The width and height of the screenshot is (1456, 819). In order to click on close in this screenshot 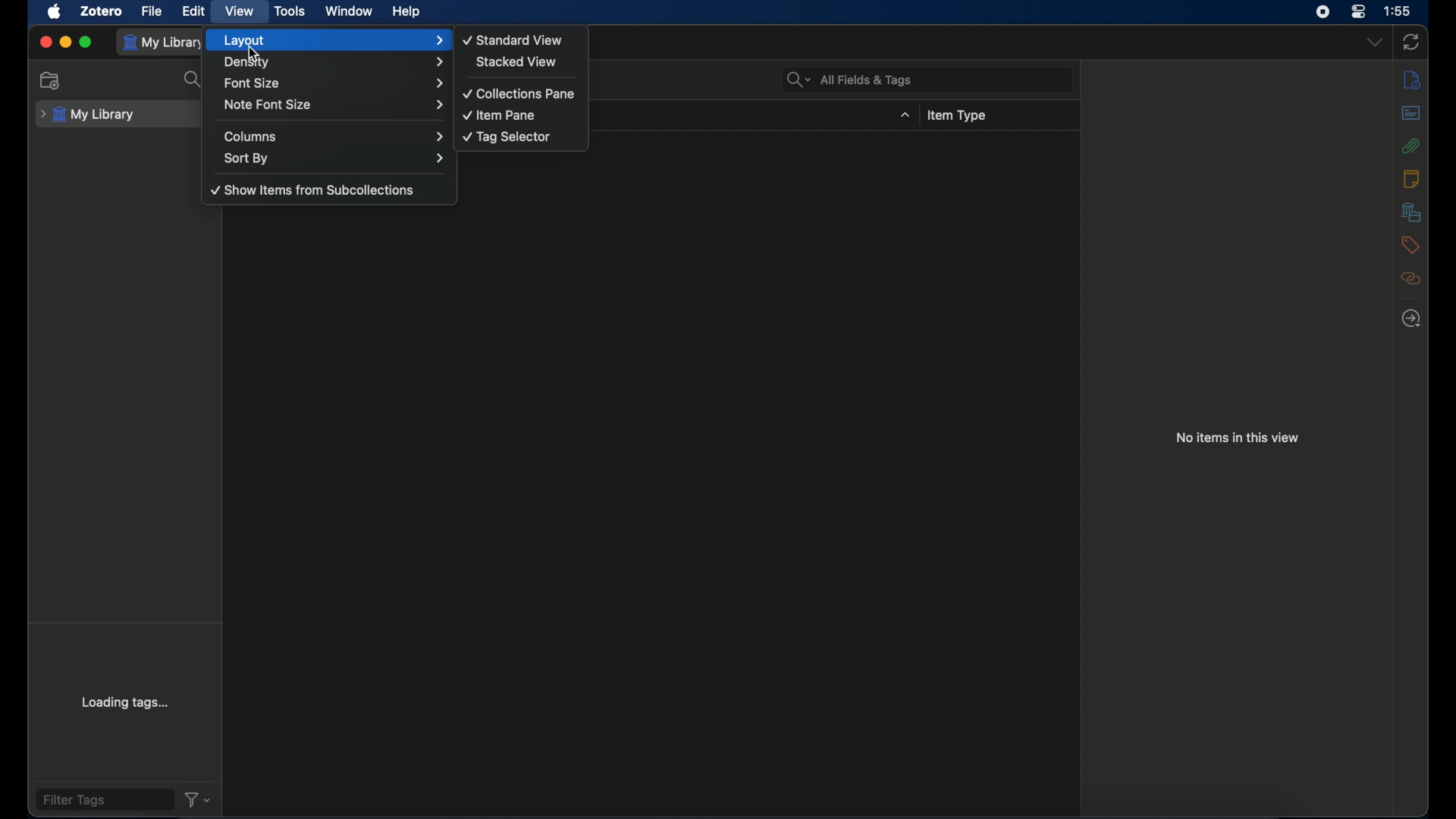, I will do `click(45, 43)`.